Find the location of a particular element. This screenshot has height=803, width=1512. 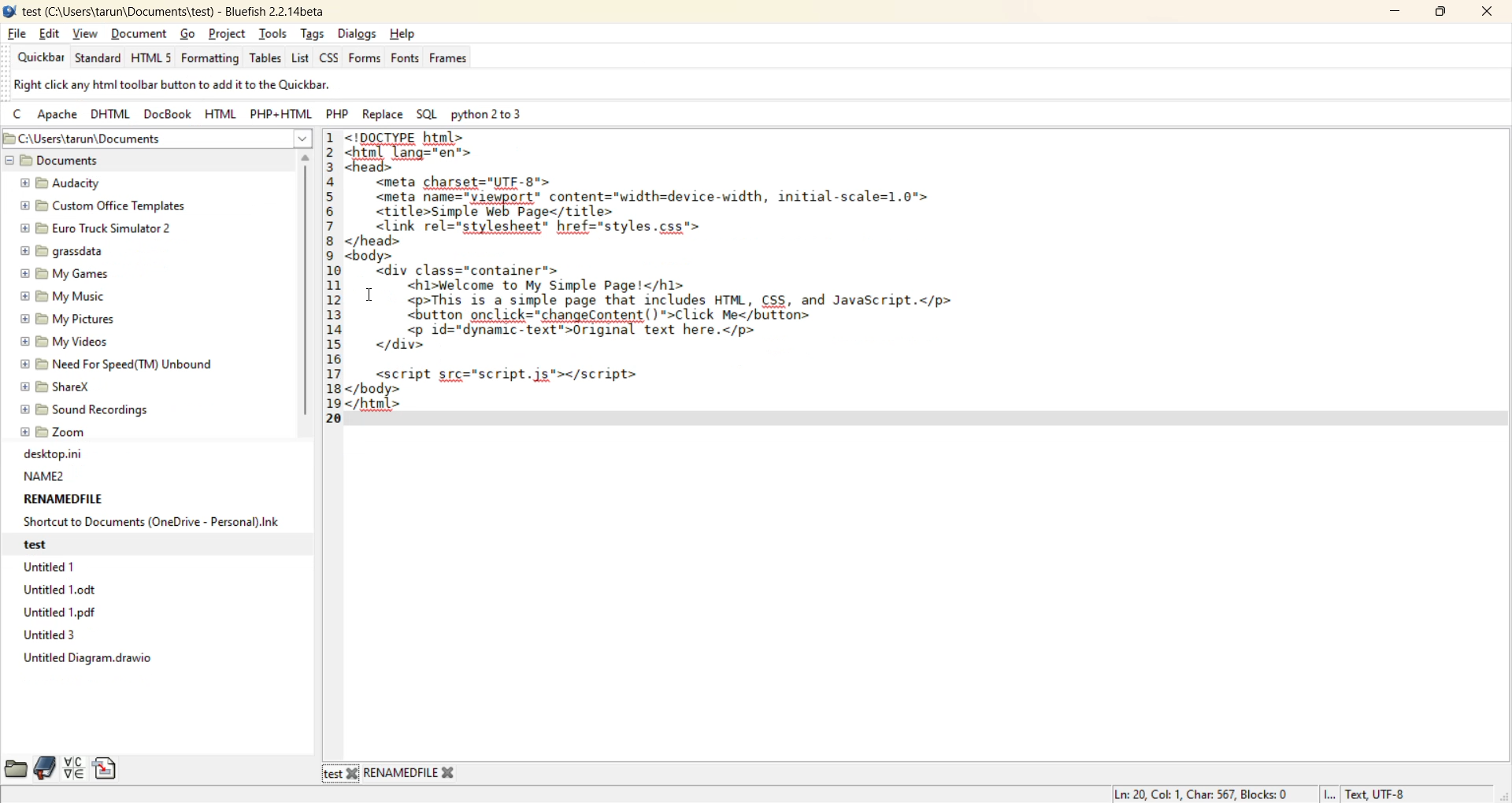

snippets is located at coordinates (108, 768).